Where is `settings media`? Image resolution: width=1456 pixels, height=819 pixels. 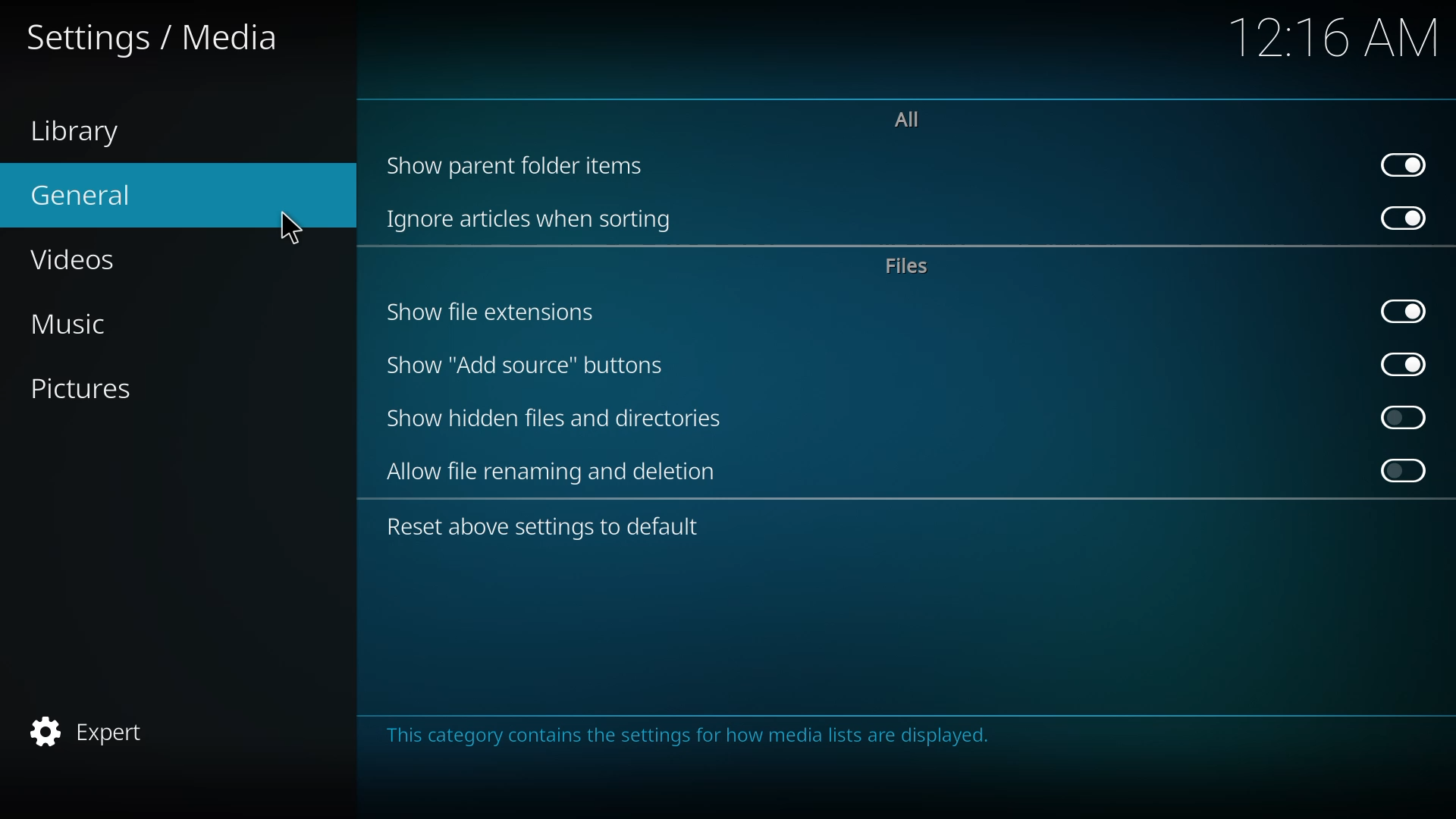
settings media is located at coordinates (160, 37).